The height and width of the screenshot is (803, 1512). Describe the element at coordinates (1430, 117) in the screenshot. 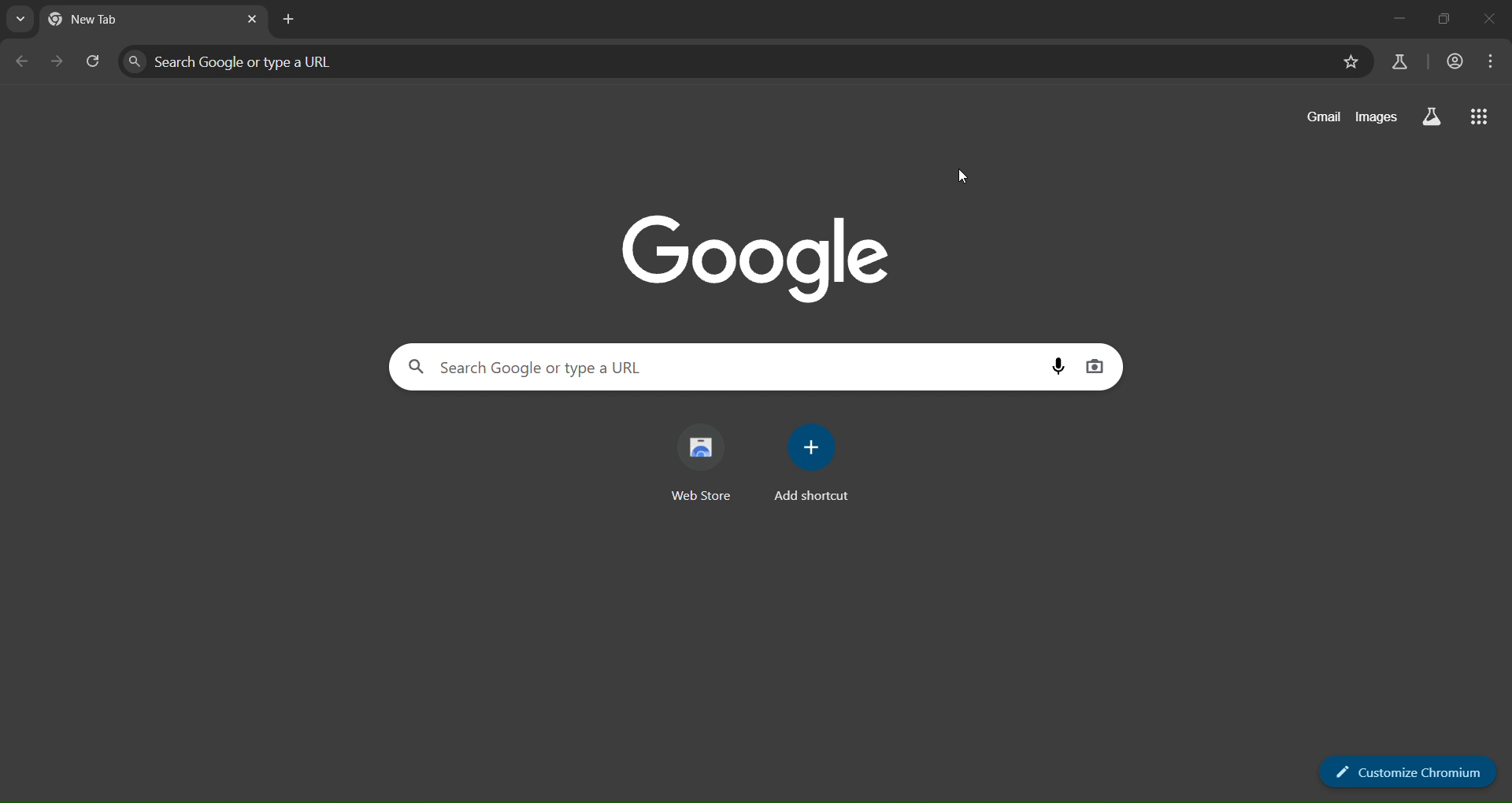

I see `search labs` at that location.